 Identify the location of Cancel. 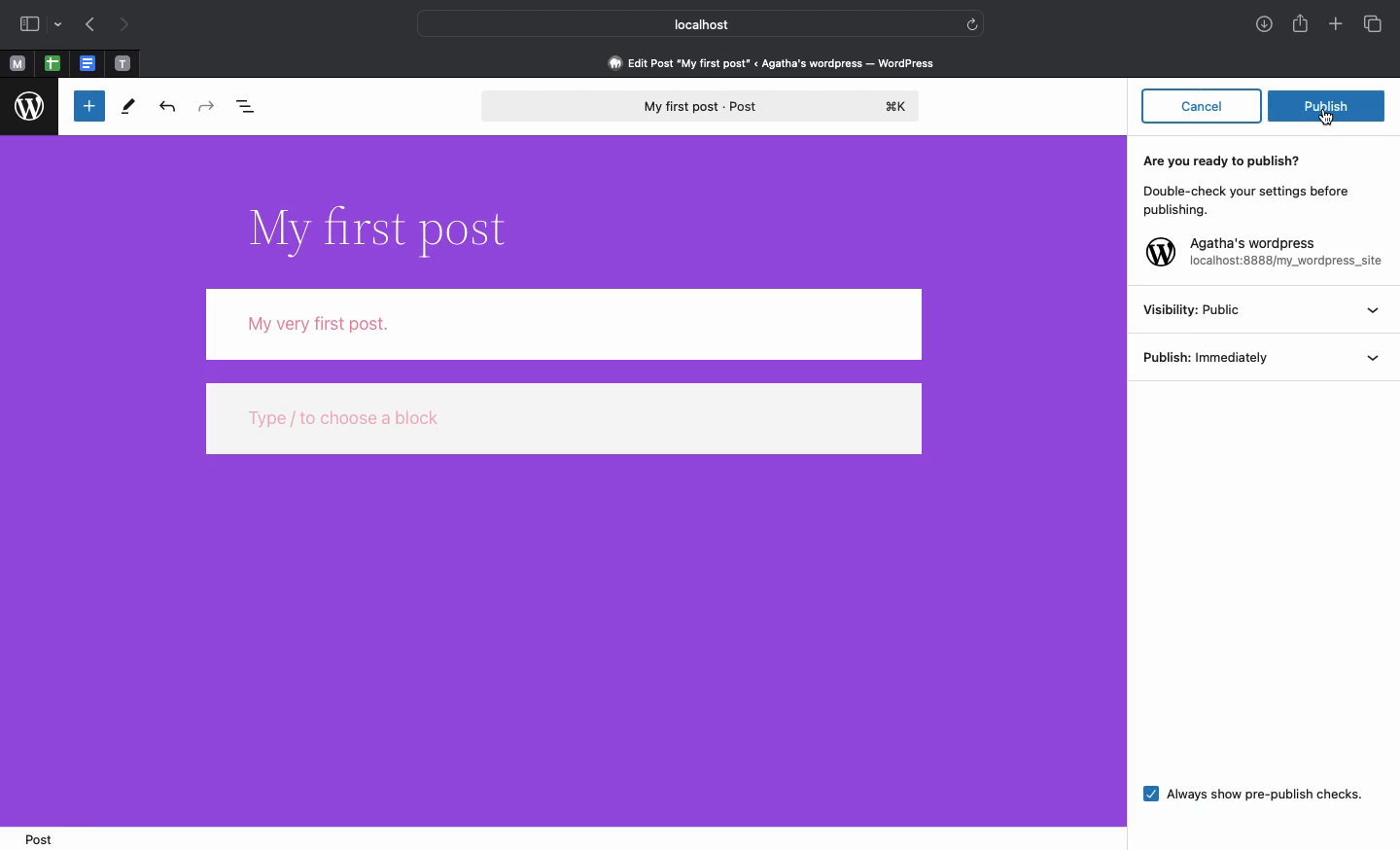
(1201, 105).